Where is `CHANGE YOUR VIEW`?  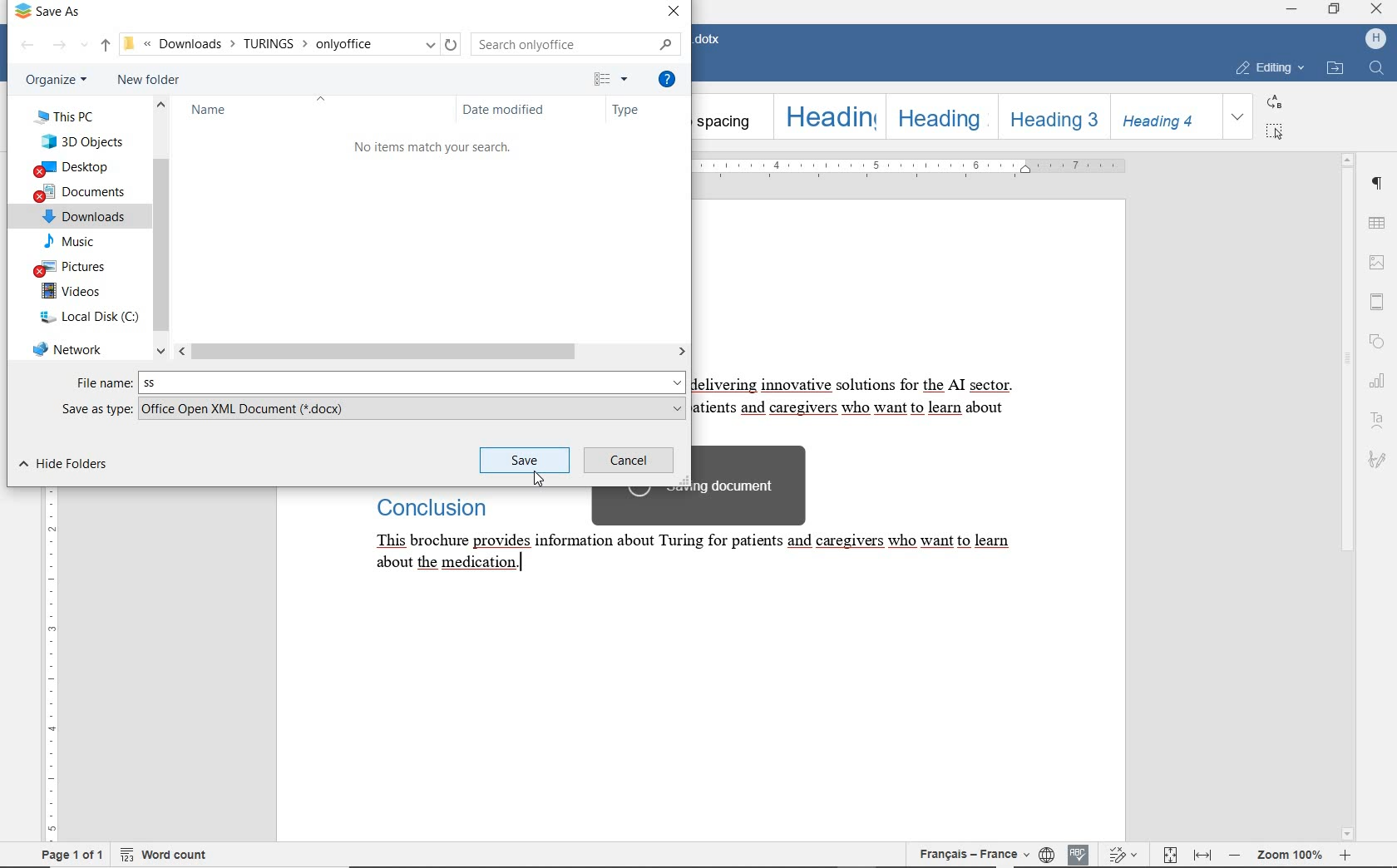 CHANGE YOUR VIEW is located at coordinates (614, 81).